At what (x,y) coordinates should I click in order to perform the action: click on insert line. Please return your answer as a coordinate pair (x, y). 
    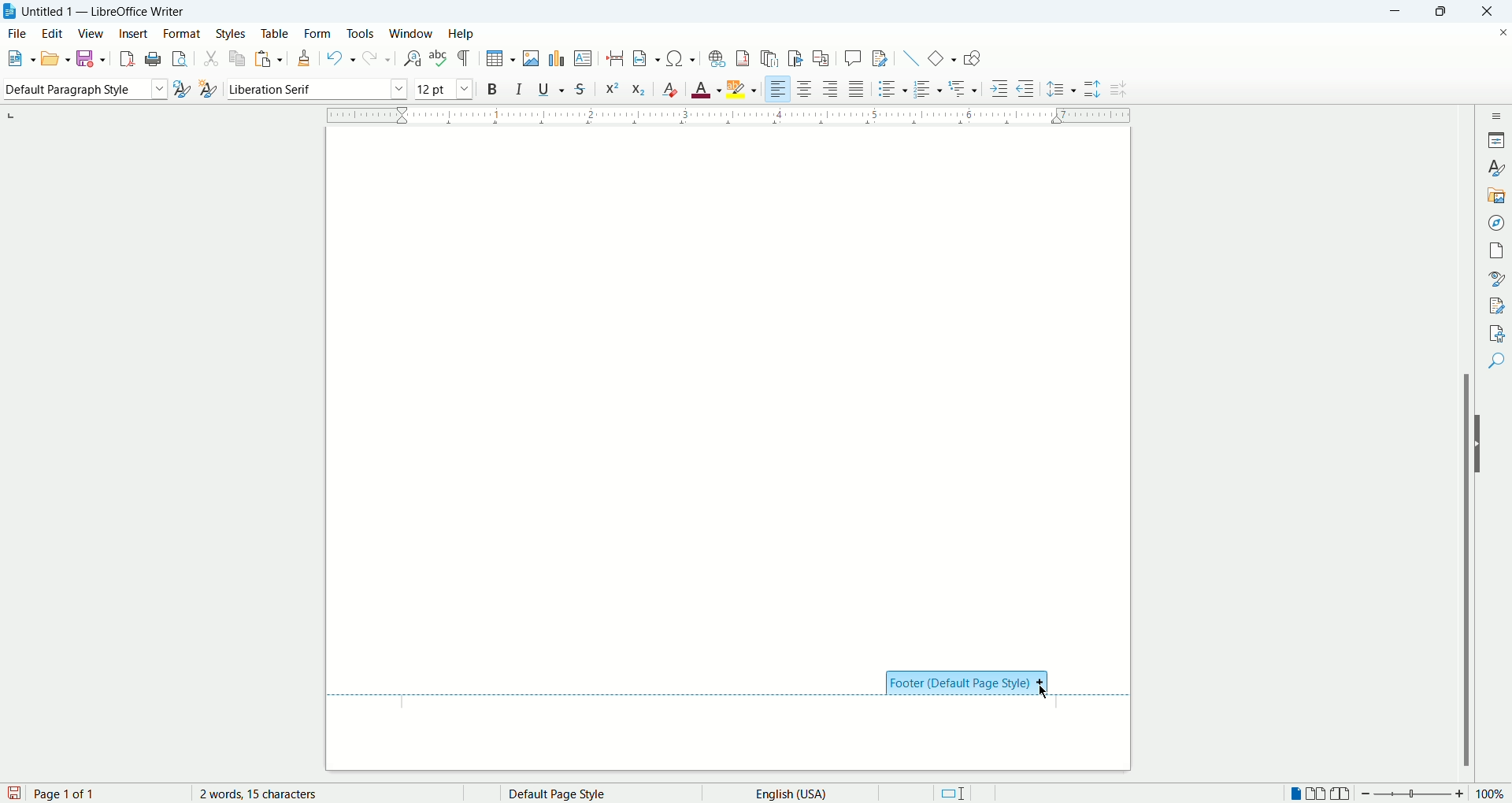
    Looking at the image, I should click on (909, 57).